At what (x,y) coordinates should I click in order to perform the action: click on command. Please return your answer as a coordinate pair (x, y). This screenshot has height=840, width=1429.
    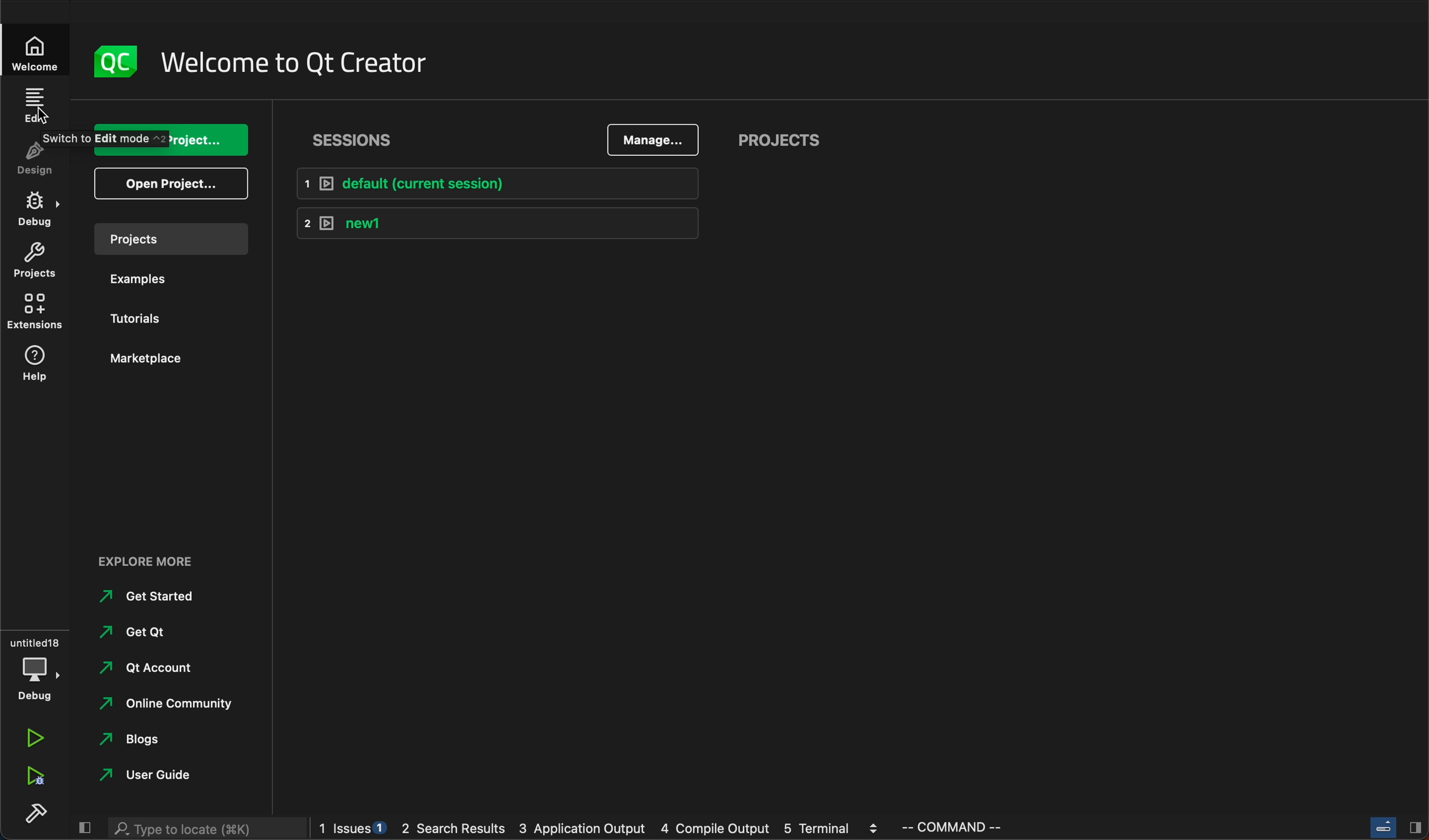
    Looking at the image, I should click on (1004, 826).